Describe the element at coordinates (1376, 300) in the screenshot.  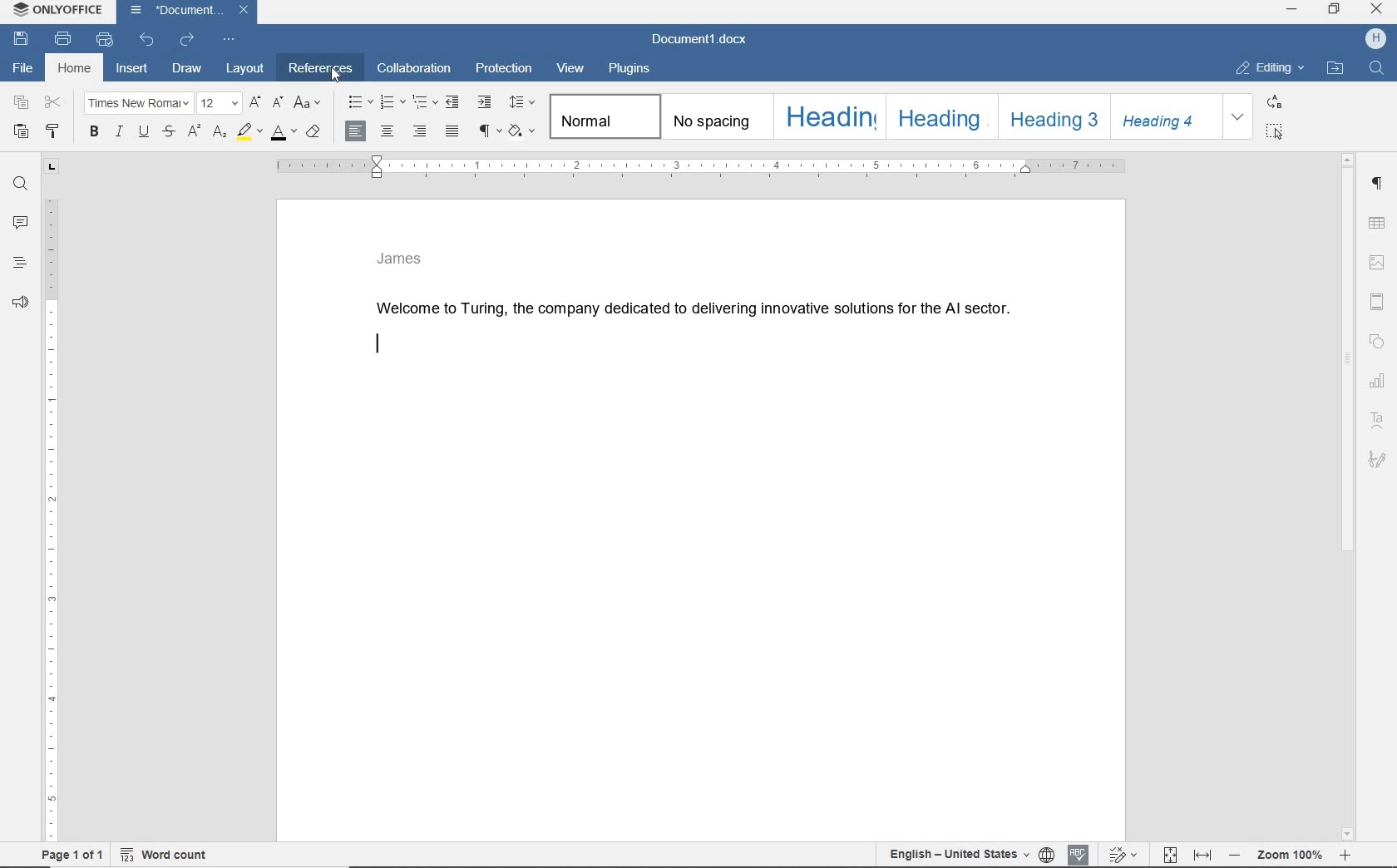
I see `header & footer` at that location.